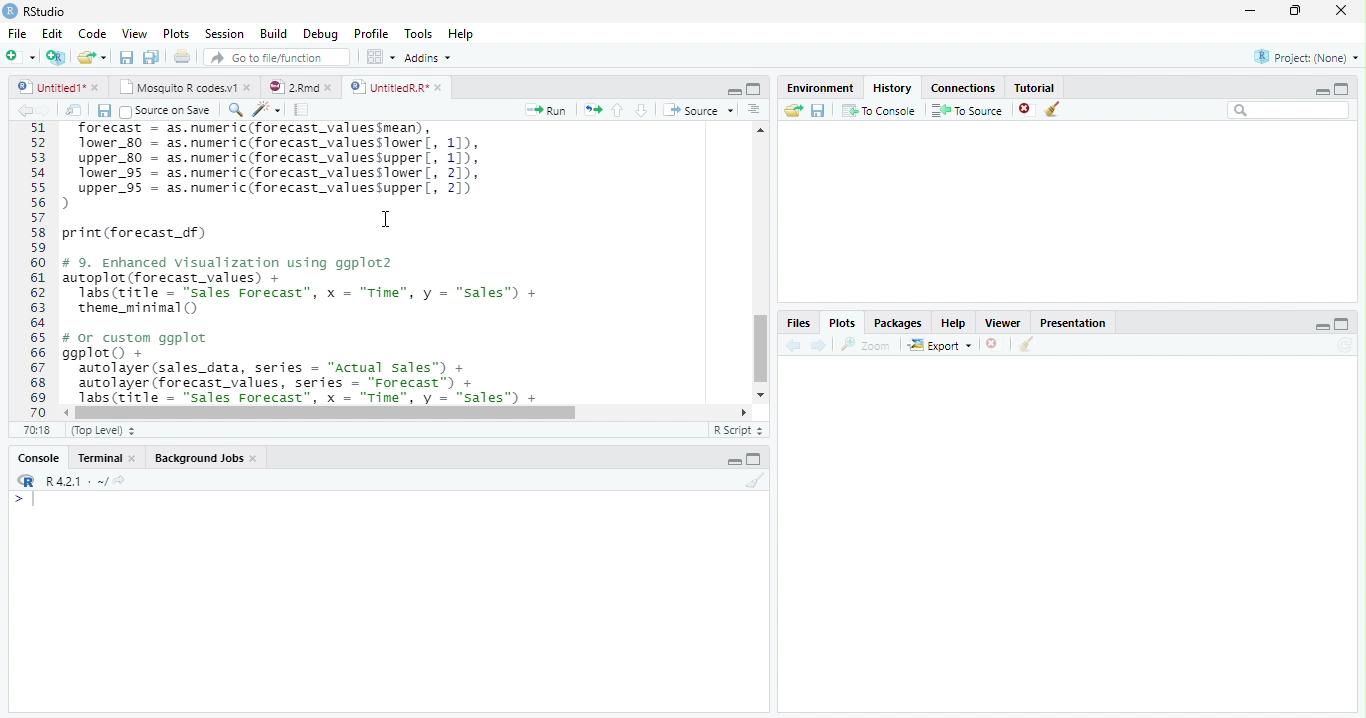  What do you see at coordinates (102, 430) in the screenshot?
I see `Top level` at bounding box center [102, 430].